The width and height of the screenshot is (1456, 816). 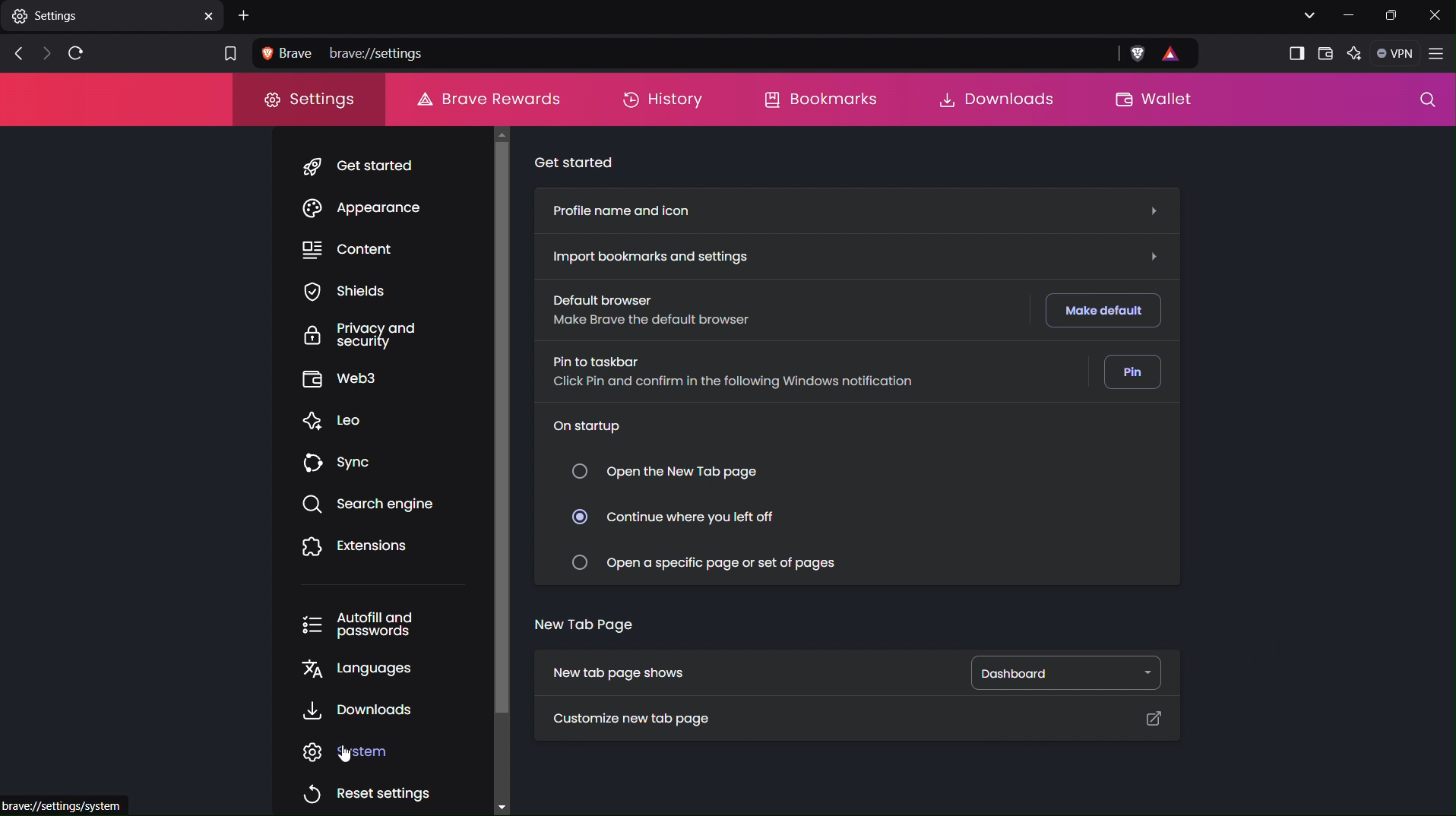 I want to click on Previous Tab, so click(x=14, y=55).